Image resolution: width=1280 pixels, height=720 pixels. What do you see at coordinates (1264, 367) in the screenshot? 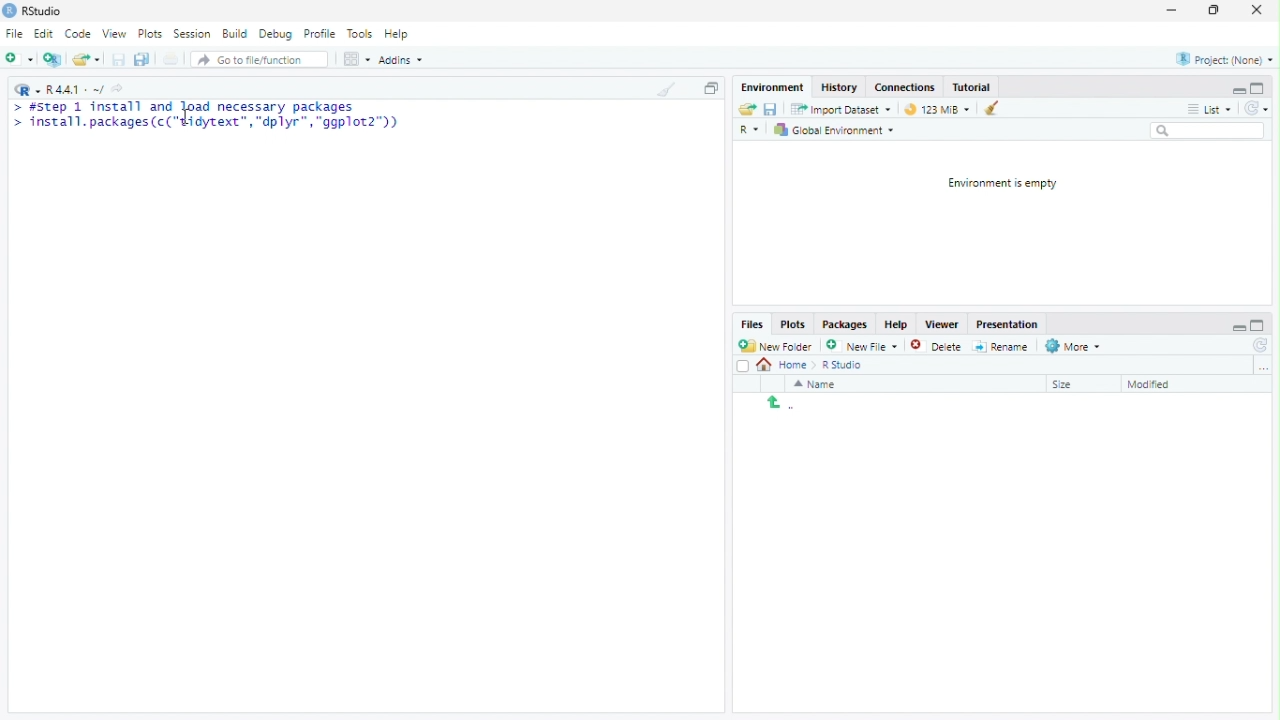
I see `Browse` at bounding box center [1264, 367].